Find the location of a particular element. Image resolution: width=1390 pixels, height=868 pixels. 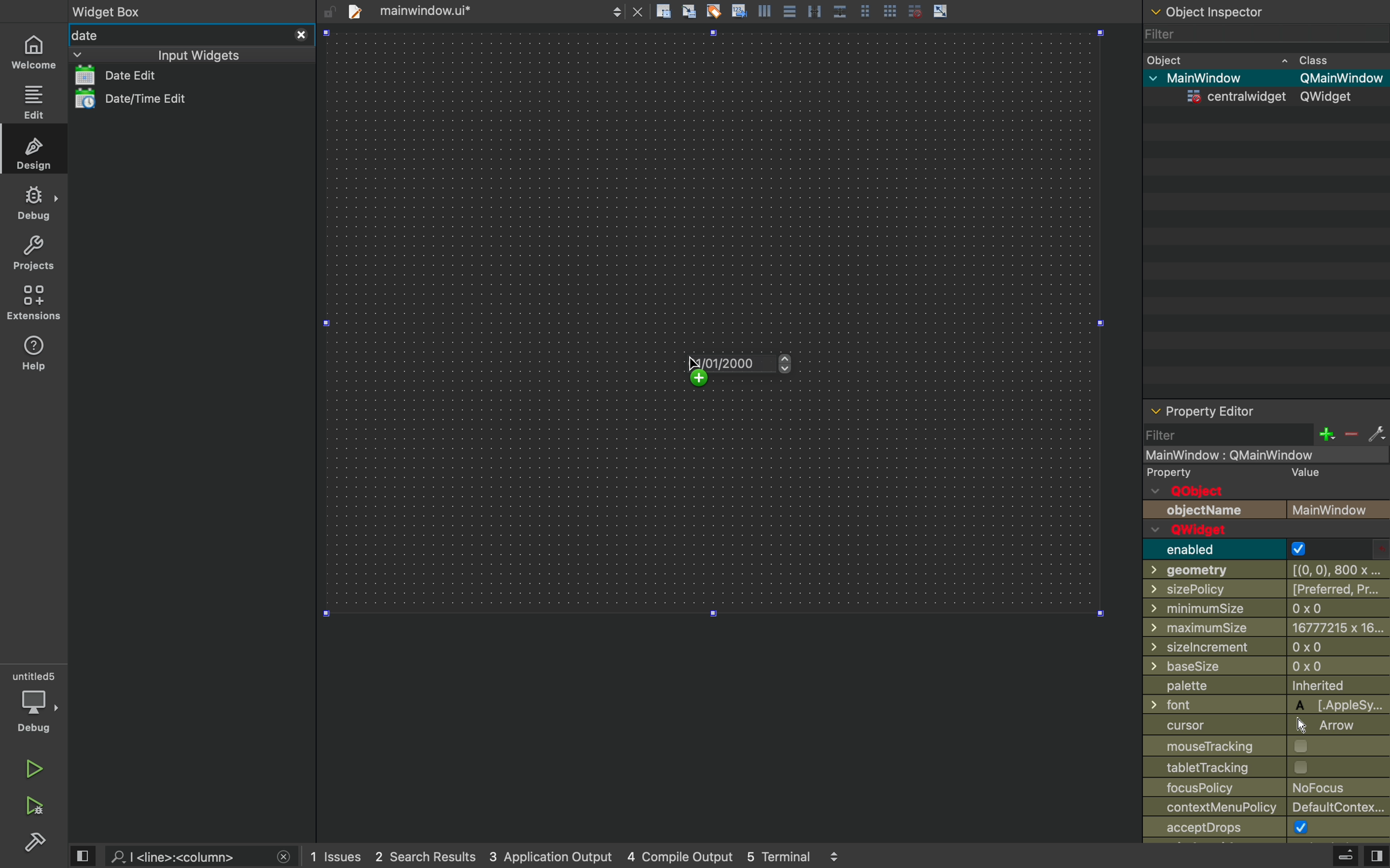

mainwindow is located at coordinates (1267, 79).